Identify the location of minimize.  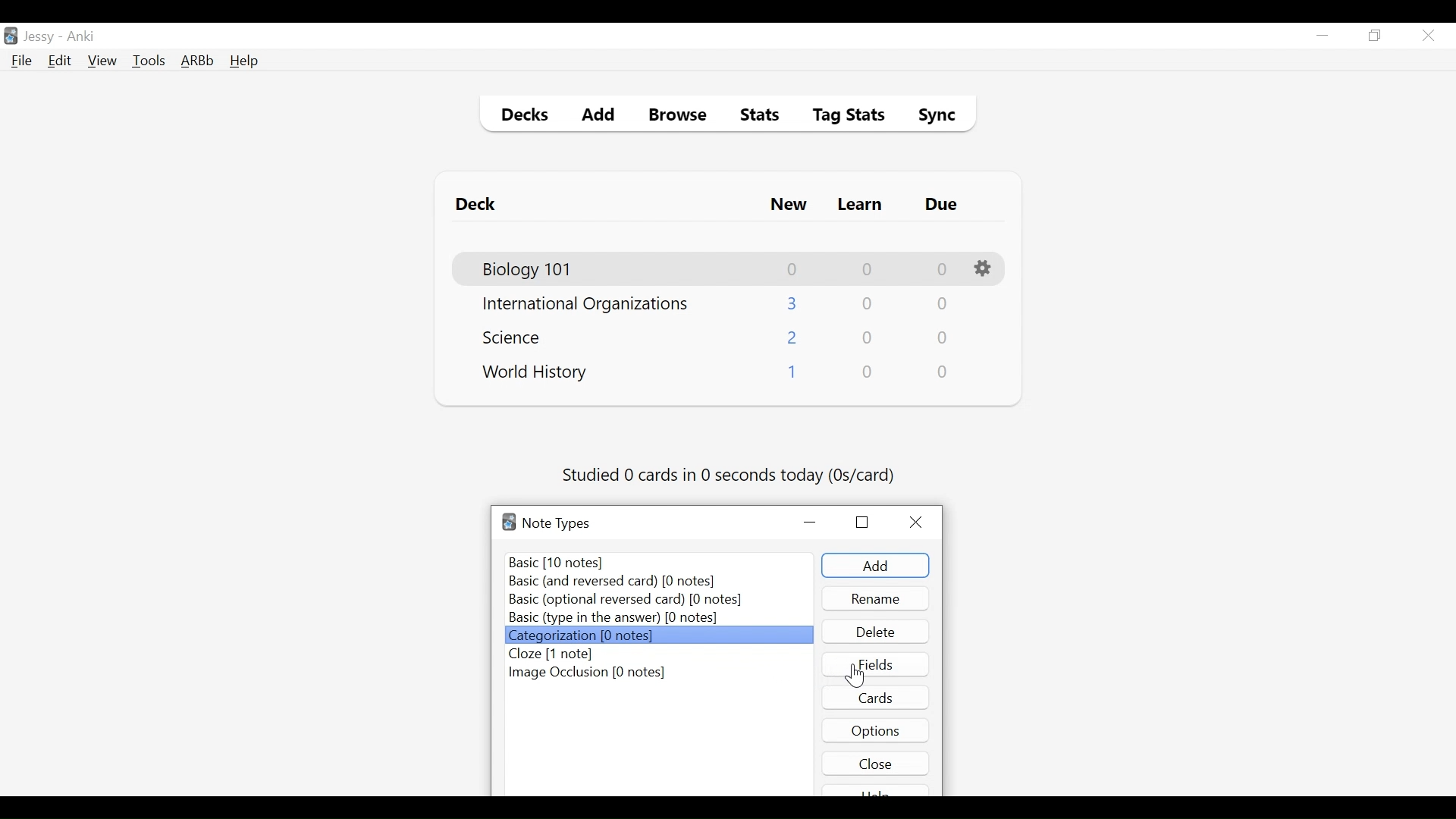
(1322, 36).